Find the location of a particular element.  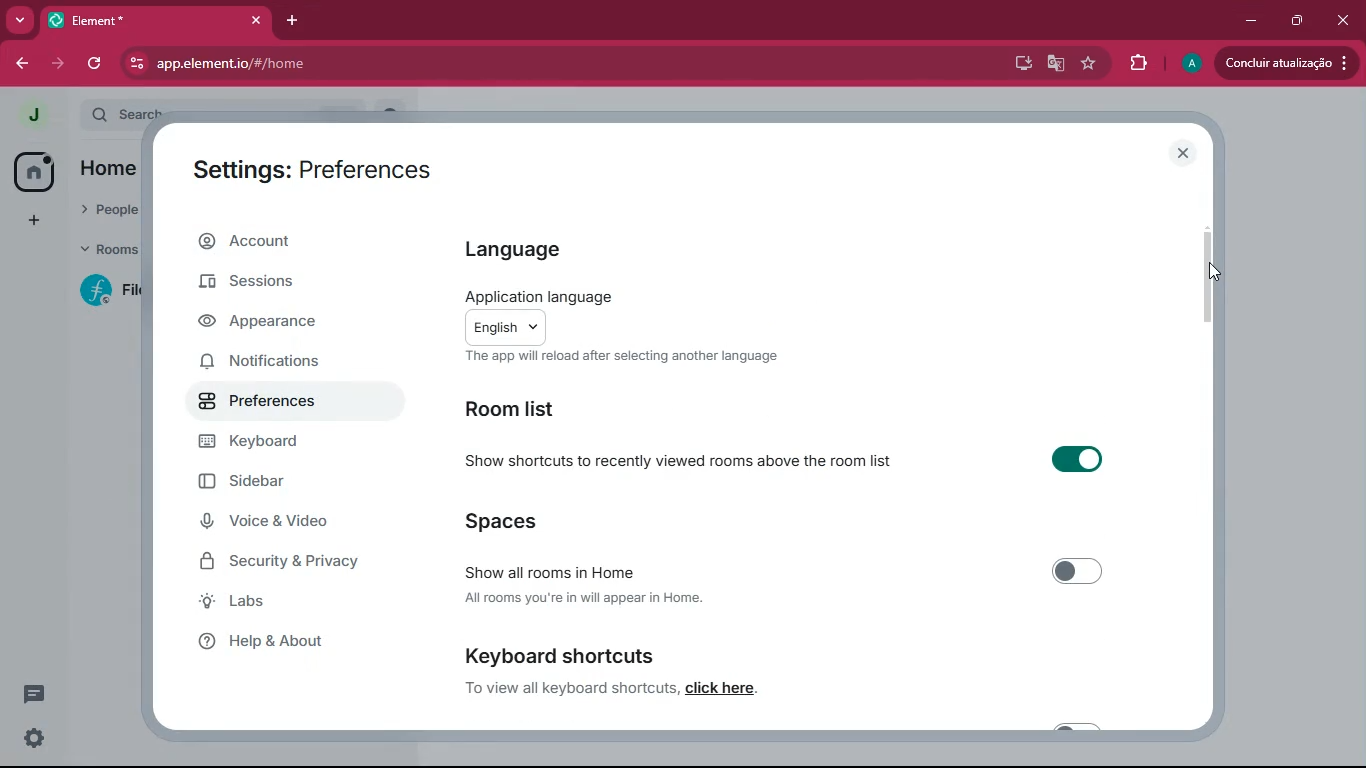

keyboard shortcuts is located at coordinates (557, 653).